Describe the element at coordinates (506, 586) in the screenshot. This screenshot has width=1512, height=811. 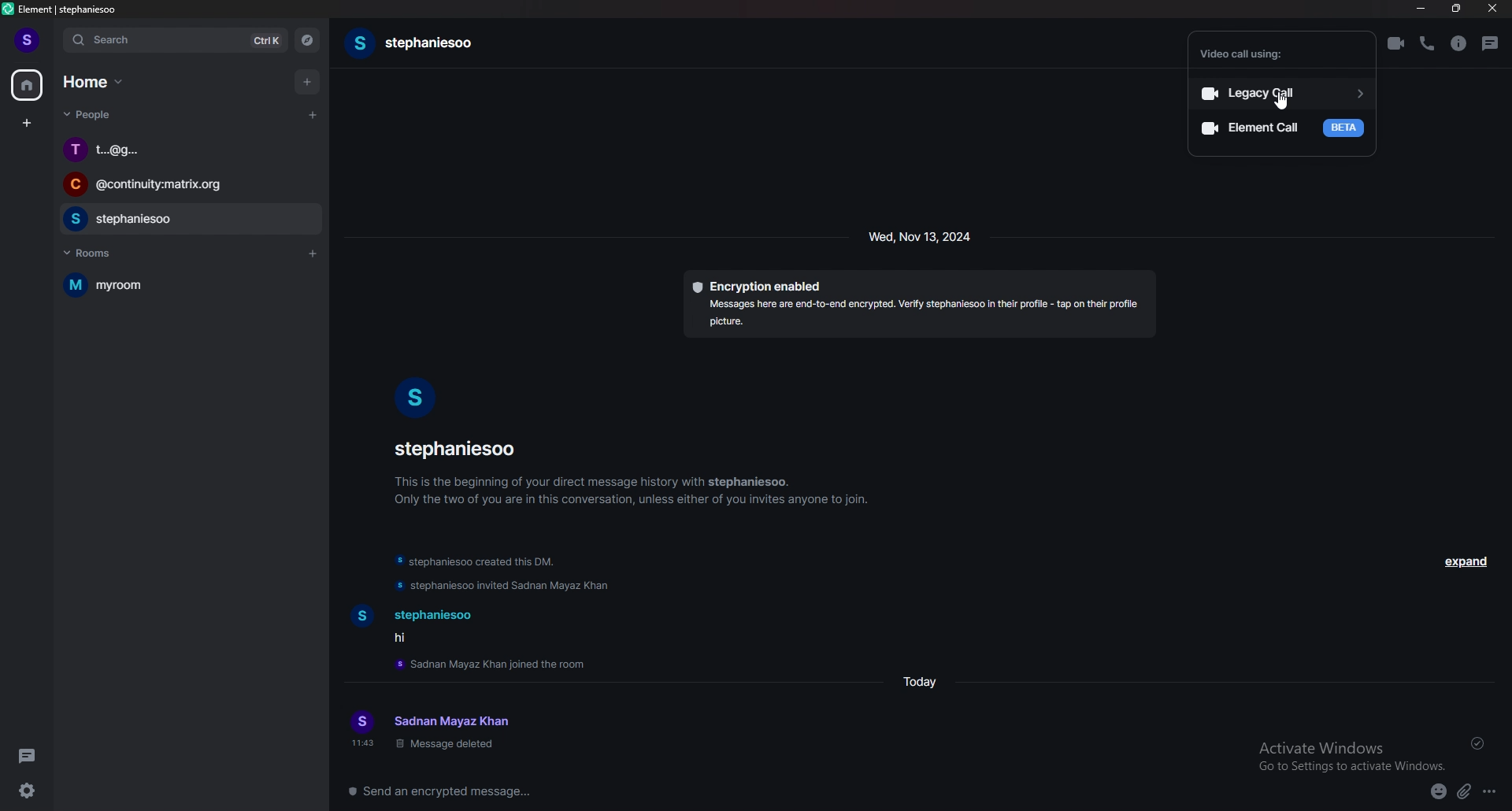
I see `update` at that location.